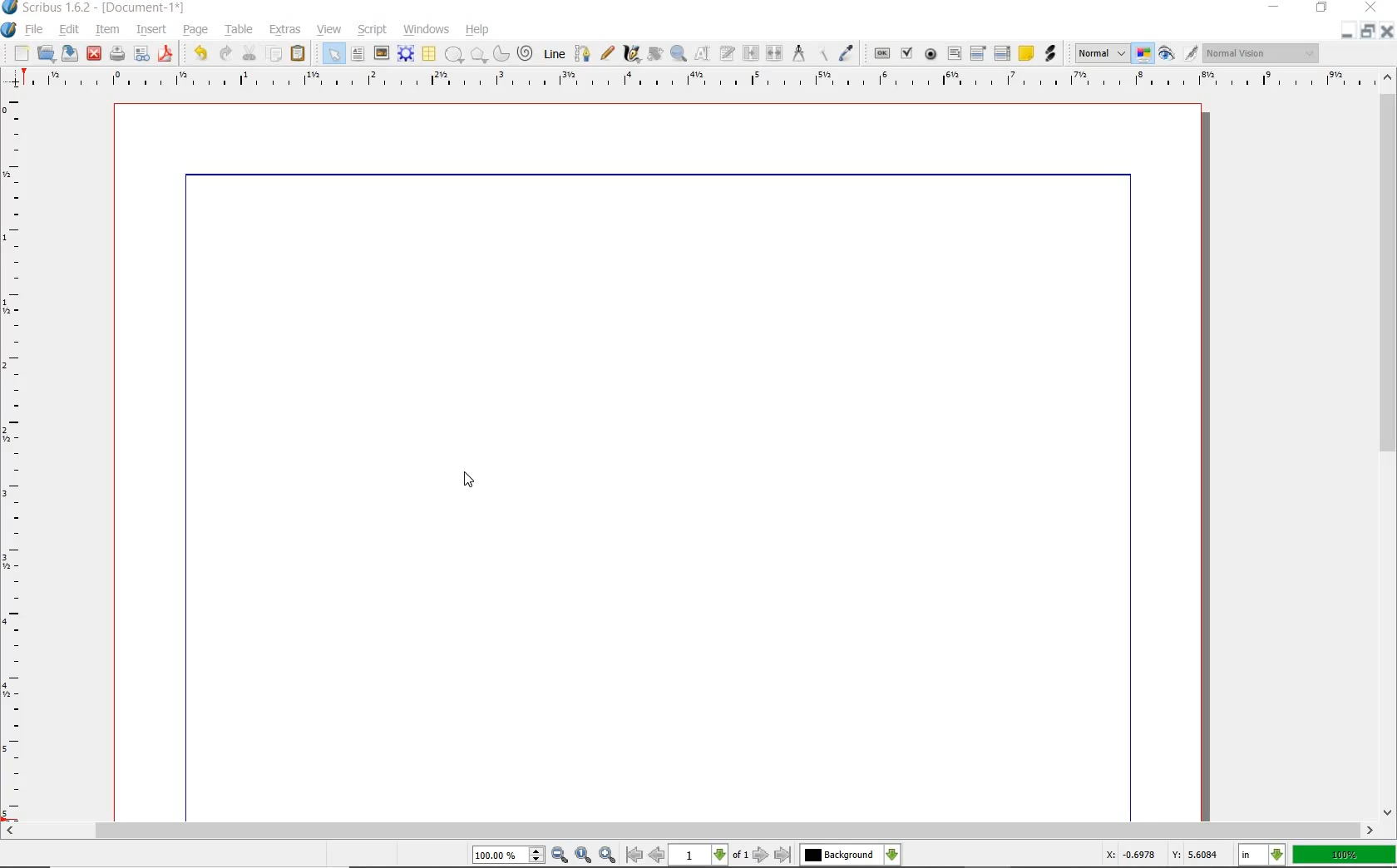 Image resolution: width=1397 pixels, height=868 pixels. Describe the element at coordinates (678, 54) in the screenshot. I see `ZOOM IN OR OUT` at that location.